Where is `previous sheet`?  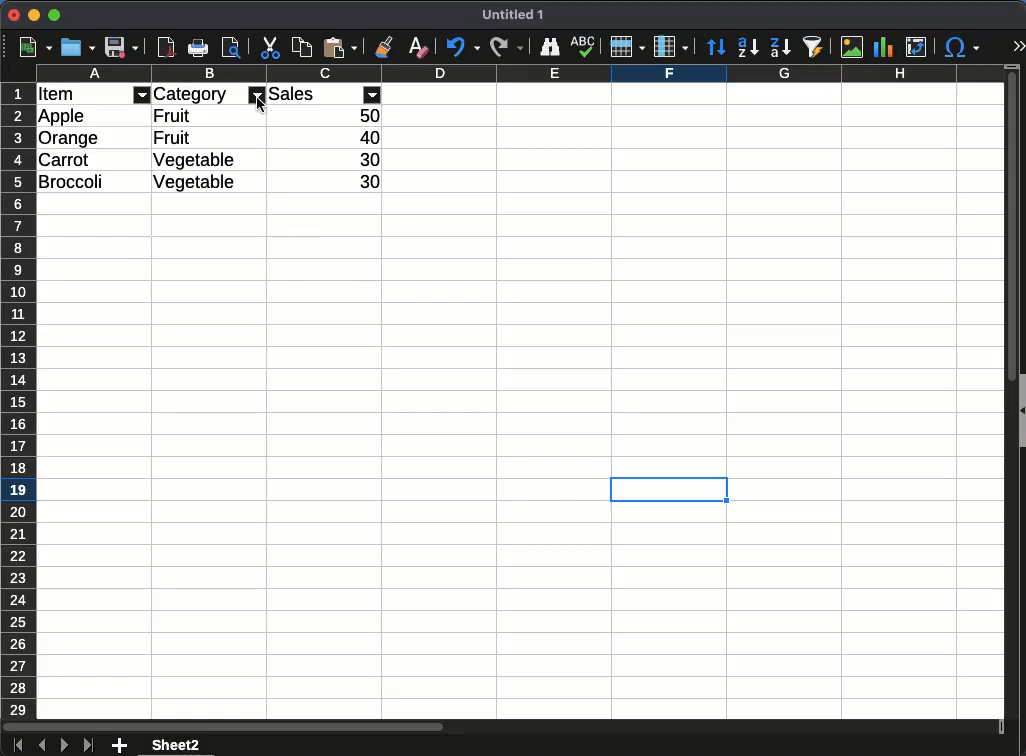 previous sheet is located at coordinates (42, 745).